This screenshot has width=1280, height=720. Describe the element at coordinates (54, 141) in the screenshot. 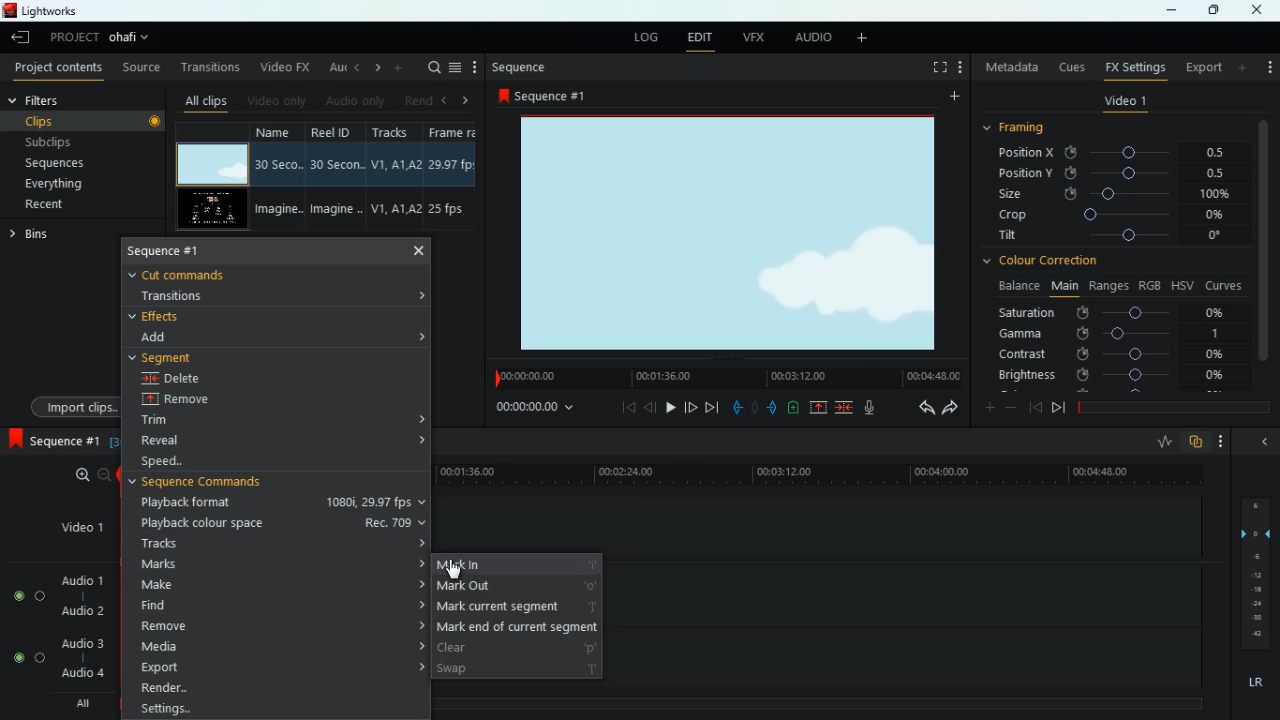

I see `subclips` at that location.